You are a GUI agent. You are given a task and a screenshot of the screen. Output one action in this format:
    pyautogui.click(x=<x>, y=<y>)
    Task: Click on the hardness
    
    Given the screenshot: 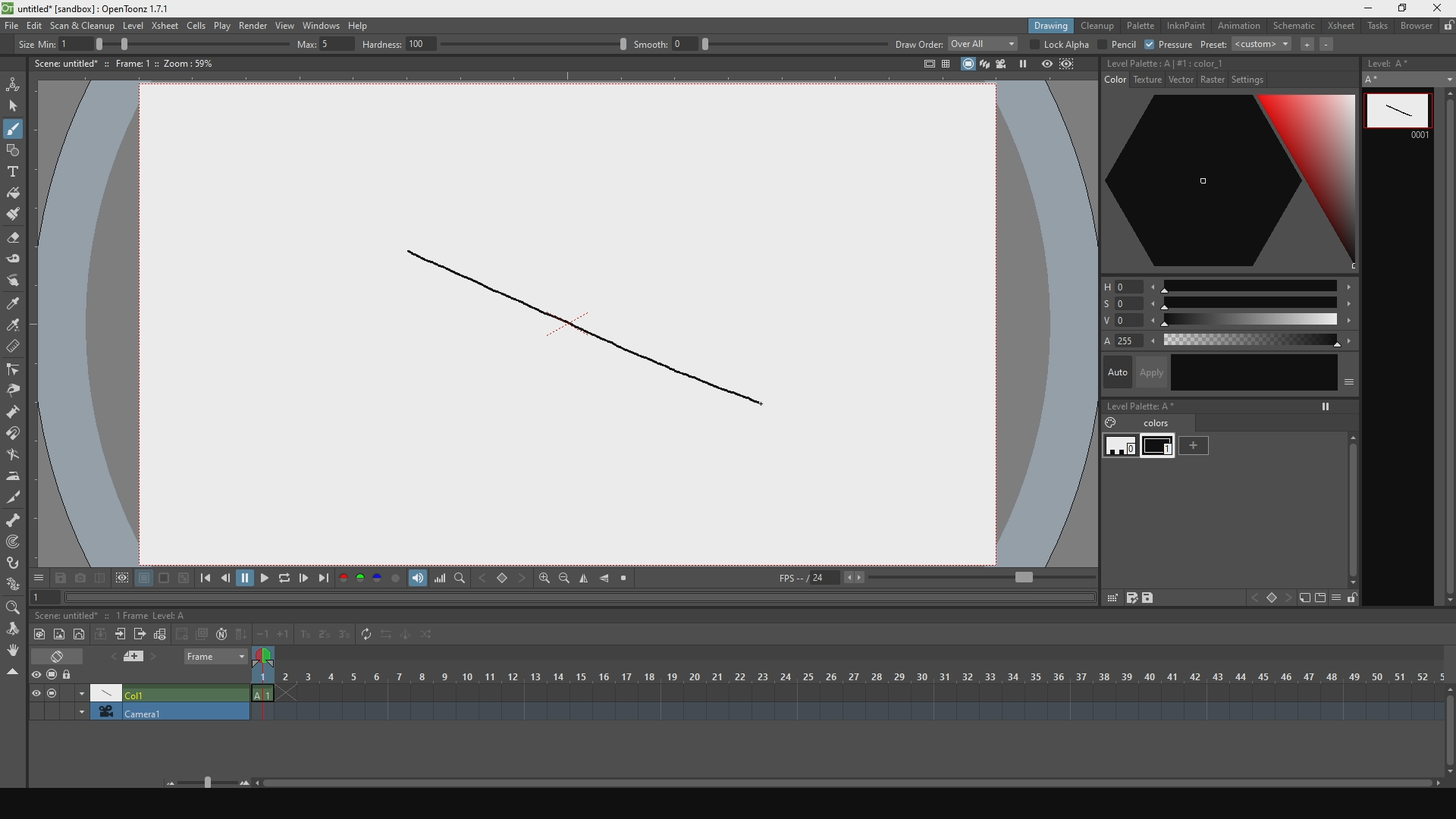 What is the action you would take?
    pyautogui.click(x=491, y=44)
    